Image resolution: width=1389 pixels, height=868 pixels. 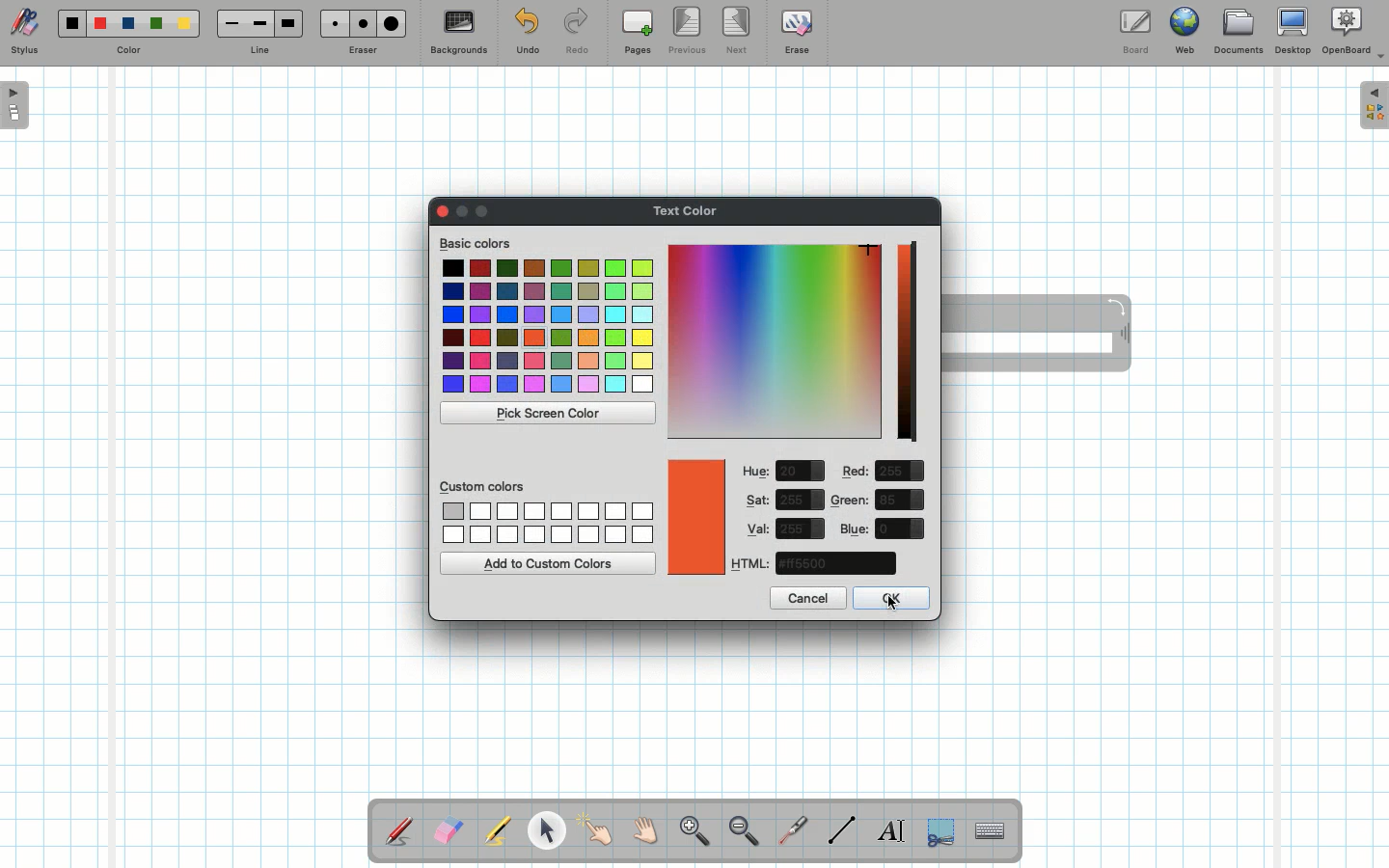 What do you see at coordinates (688, 207) in the screenshot?
I see `Text color` at bounding box center [688, 207].